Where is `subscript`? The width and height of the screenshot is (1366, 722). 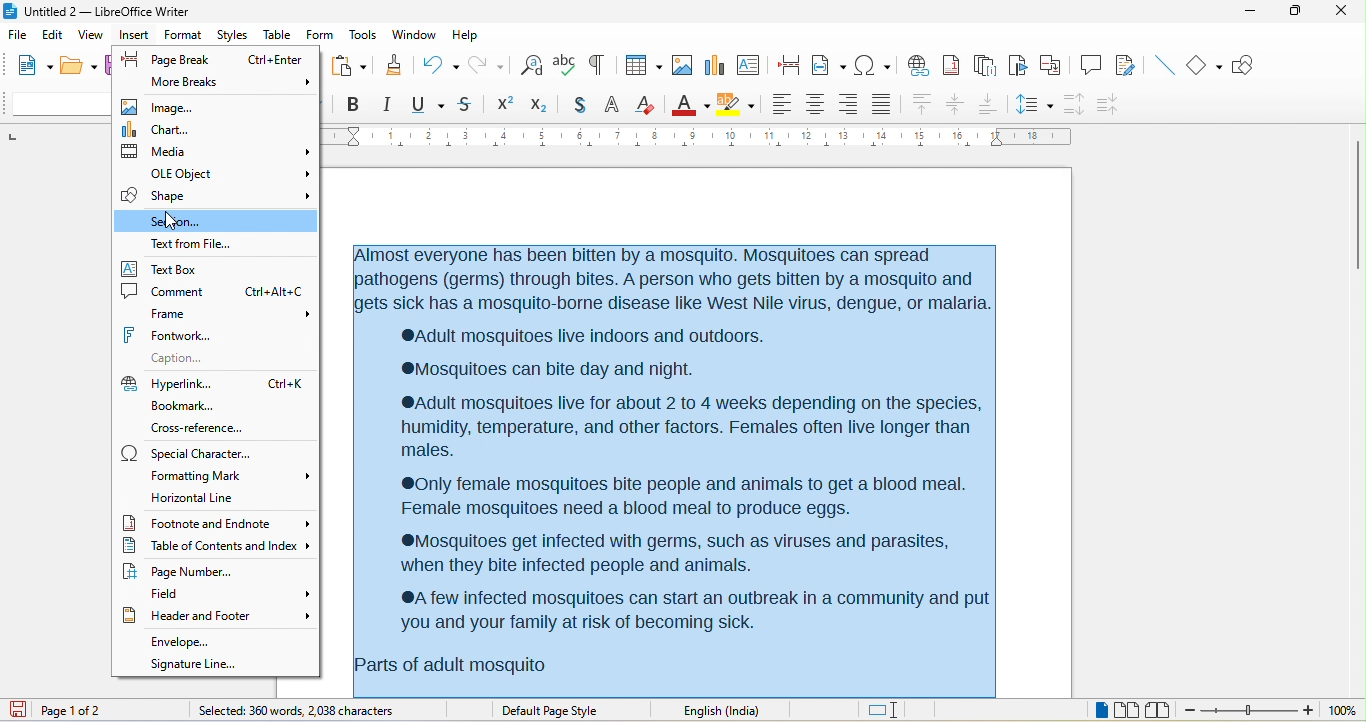 subscript is located at coordinates (538, 105).